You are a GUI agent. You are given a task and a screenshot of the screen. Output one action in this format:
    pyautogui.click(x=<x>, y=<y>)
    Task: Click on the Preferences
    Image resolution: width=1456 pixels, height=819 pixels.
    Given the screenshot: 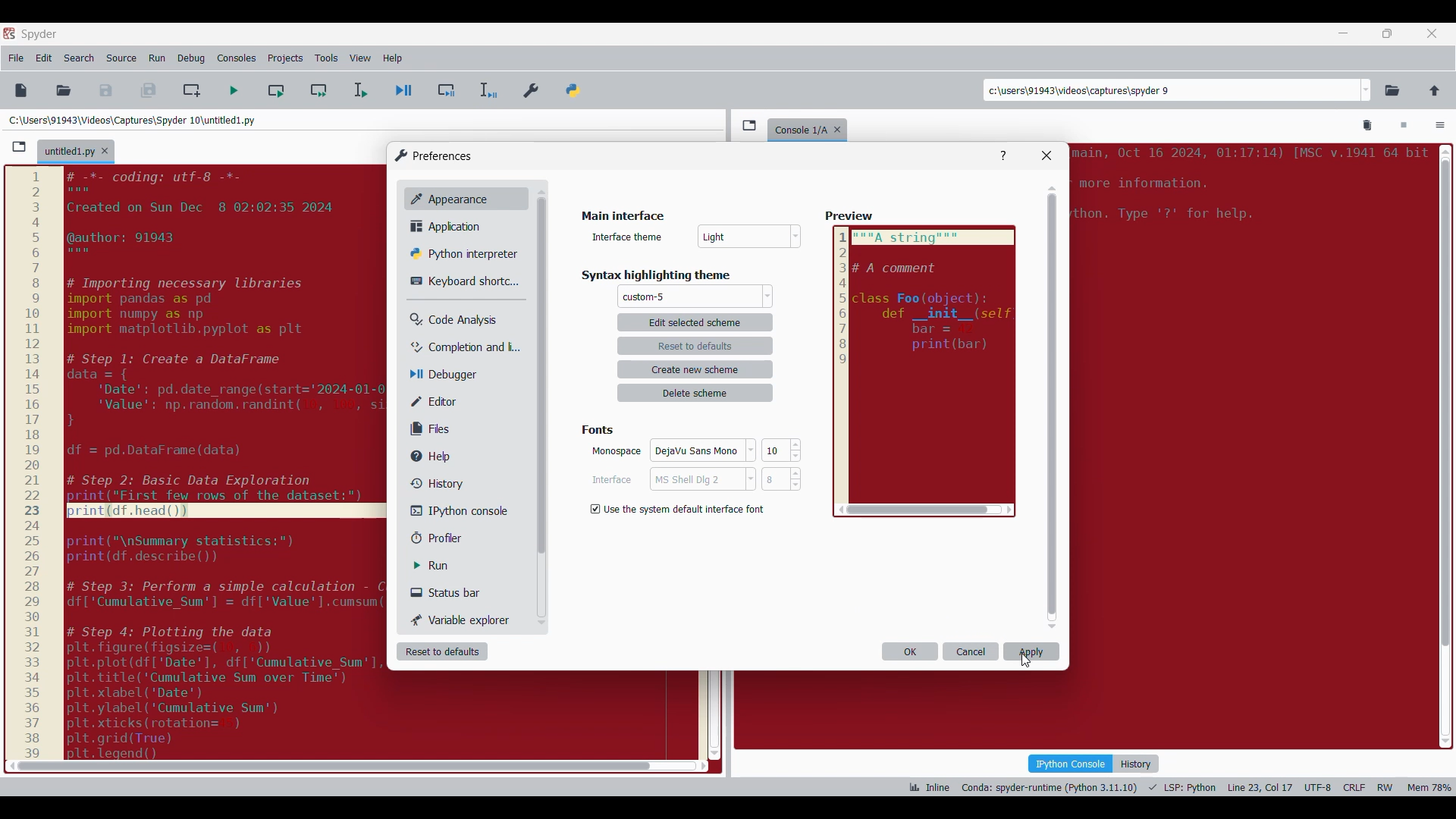 What is the action you would take?
    pyautogui.click(x=532, y=87)
    